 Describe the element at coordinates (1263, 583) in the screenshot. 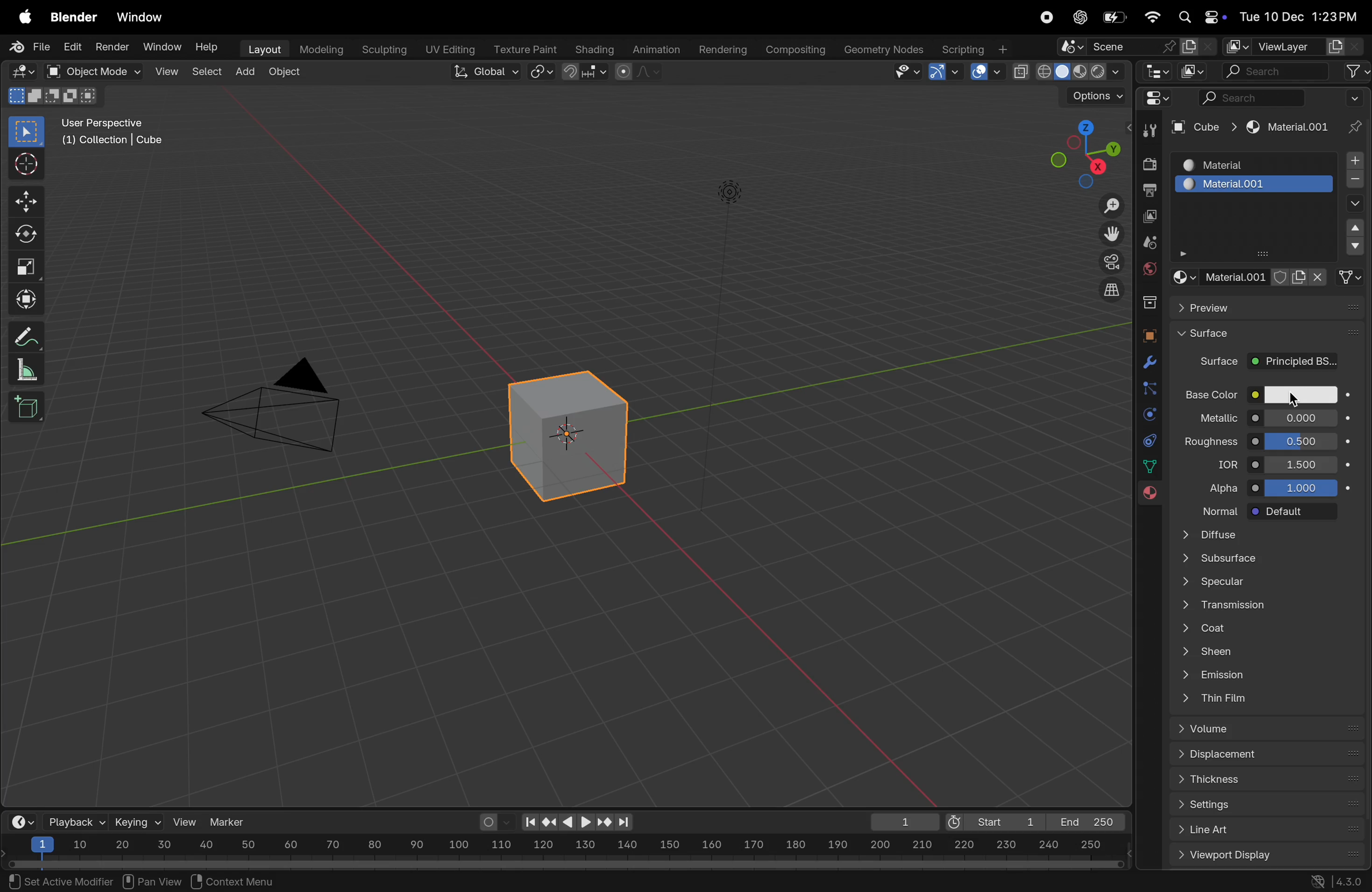

I see `specular` at that location.